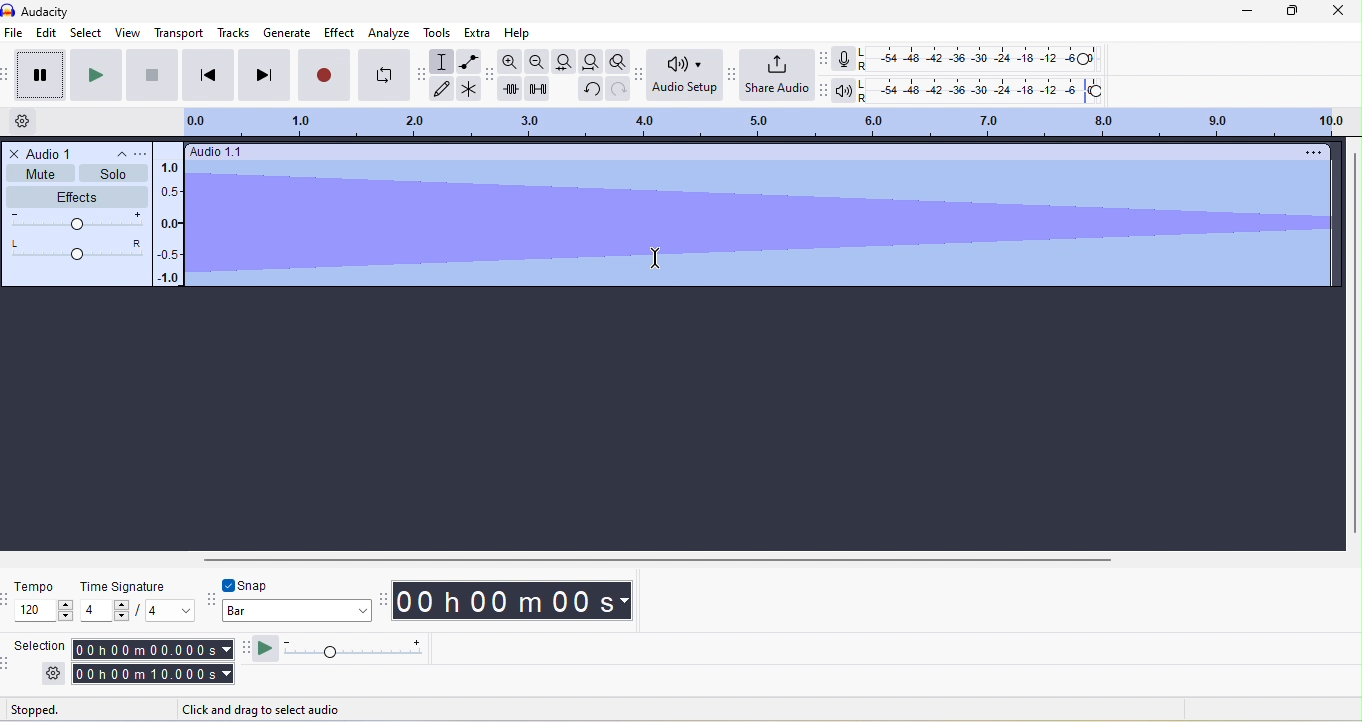  Describe the element at coordinates (41, 173) in the screenshot. I see `mute` at that location.